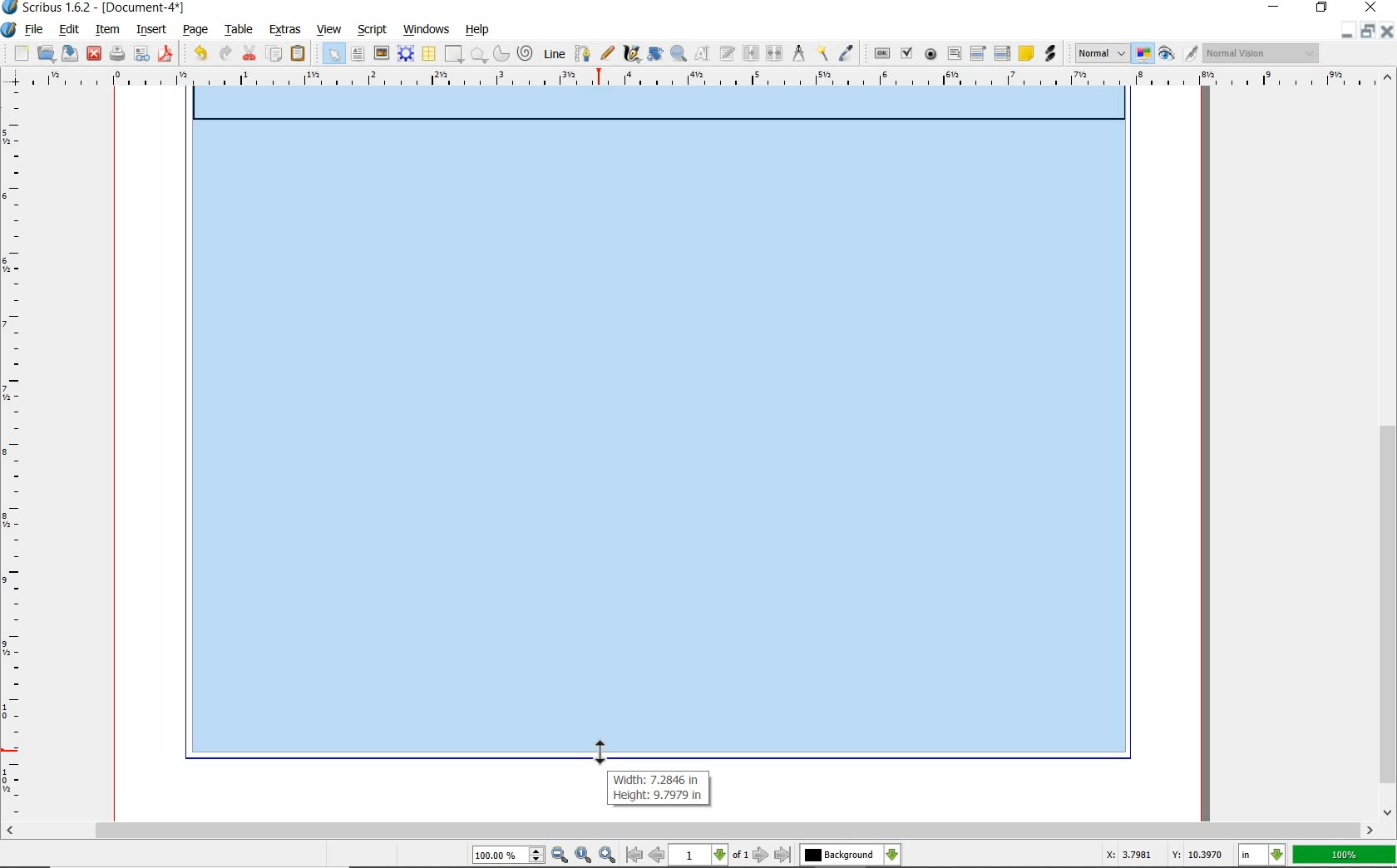 This screenshot has height=868, width=1397. What do you see at coordinates (1350, 32) in the screenshot?
I see `minimize` at bounding box center [1350, 32].